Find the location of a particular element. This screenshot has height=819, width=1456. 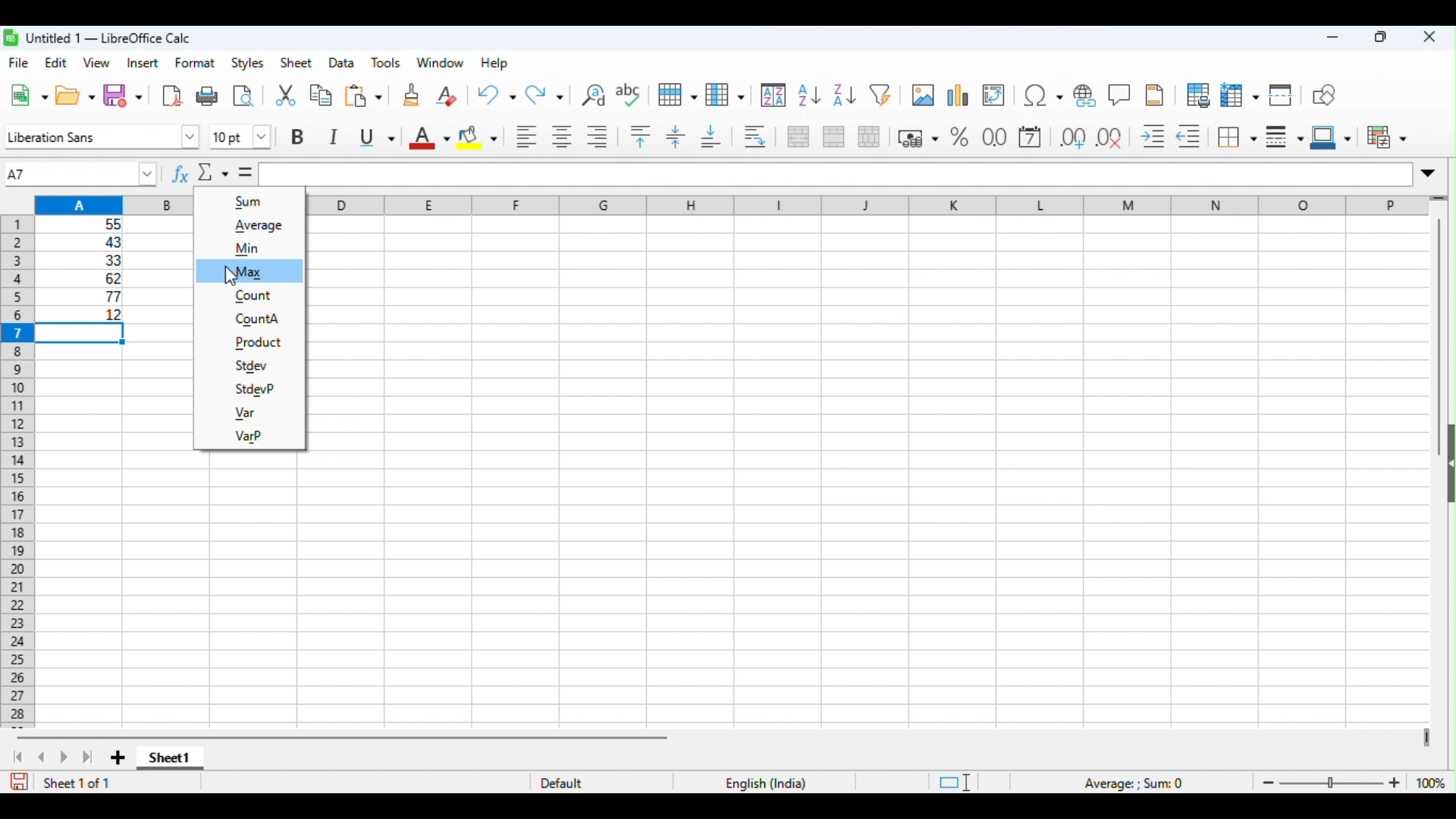

data is located at coordinates (341, 61).